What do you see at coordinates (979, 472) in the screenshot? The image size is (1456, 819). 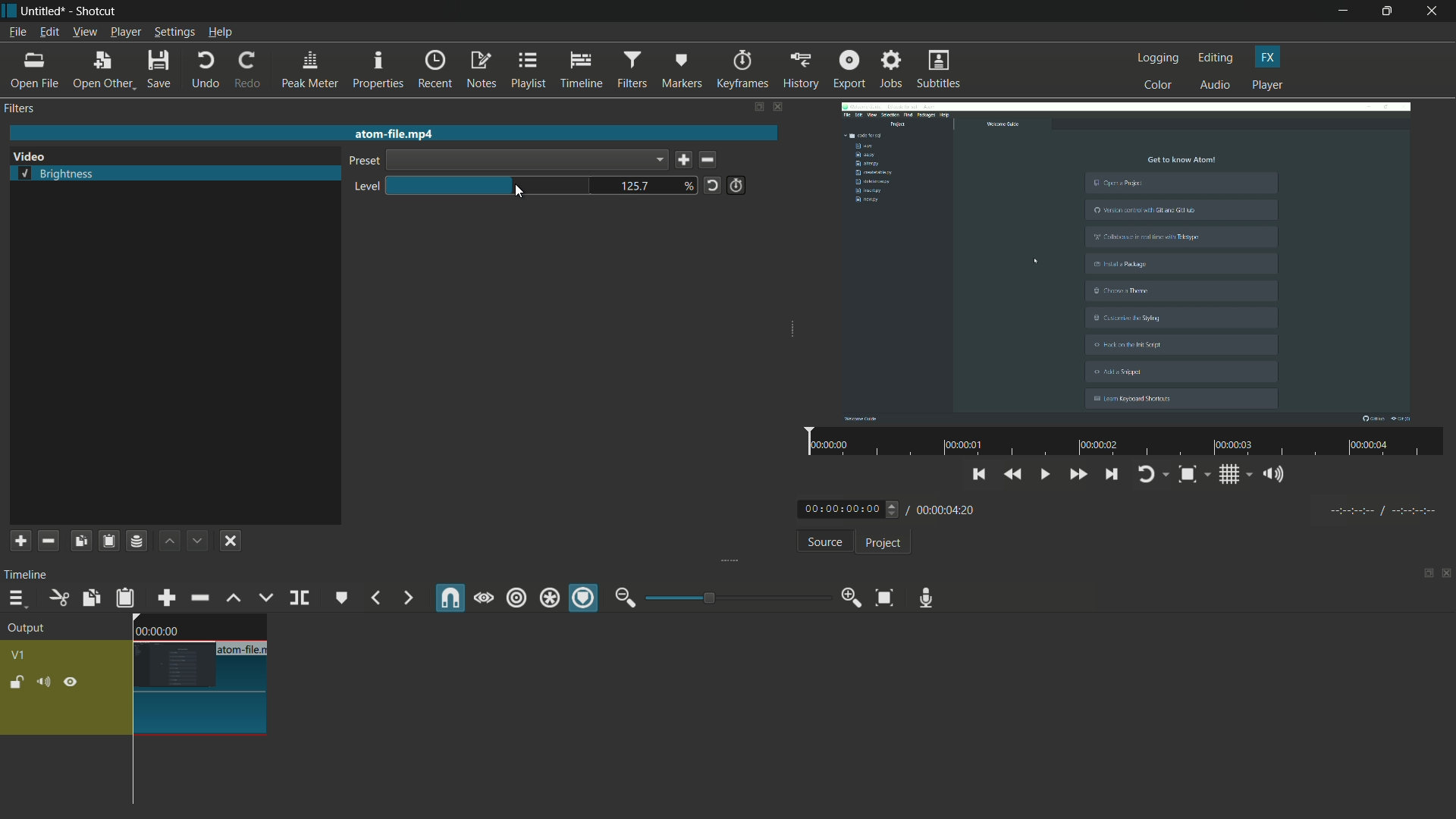 I see `skip to the previous point` at bounding box center [979, 472].